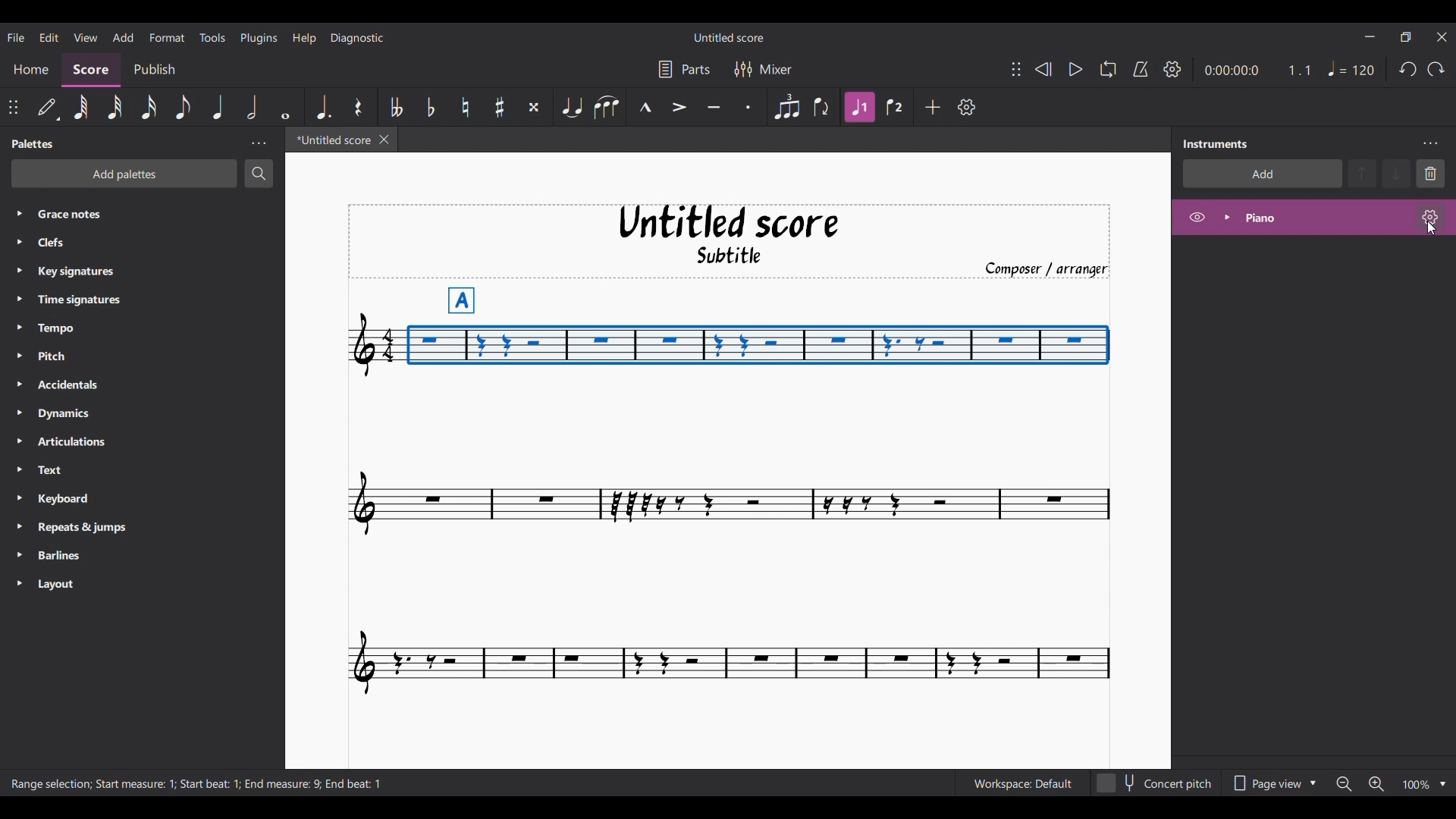  Describe the element at coordinates (259, 173) in the screenshot. I see `Search` at that location.